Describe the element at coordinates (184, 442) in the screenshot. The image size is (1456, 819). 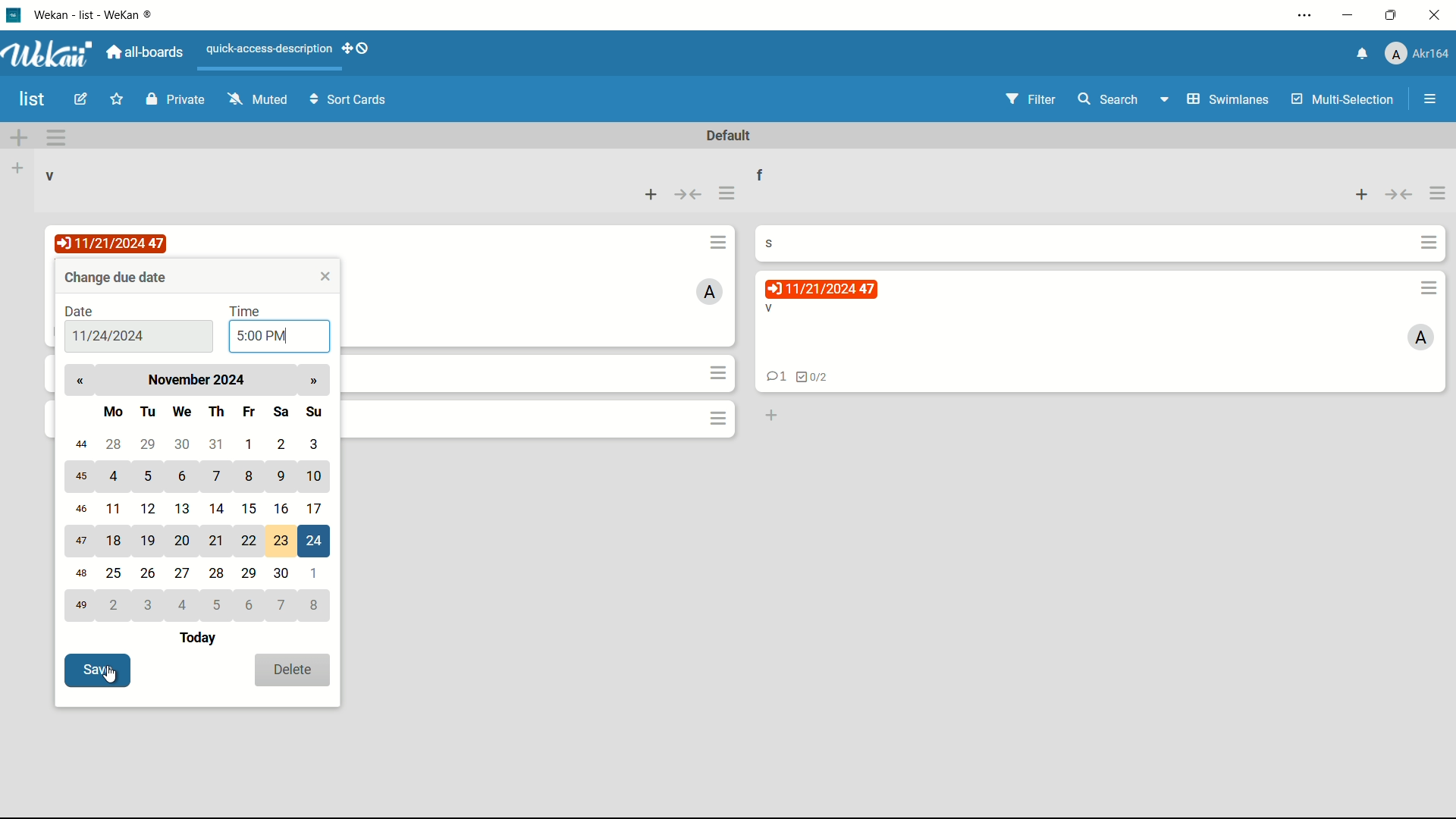
I see `30` at that location.